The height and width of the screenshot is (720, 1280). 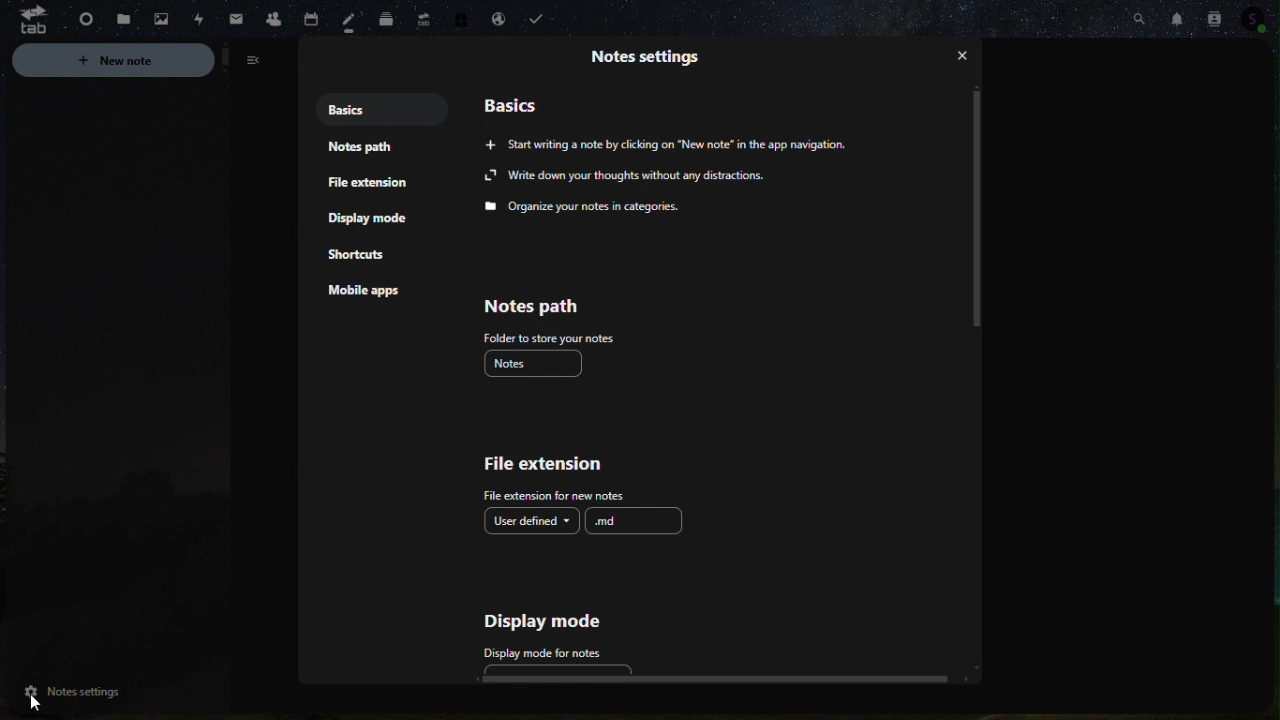 What do you see at coordinates (555, 497) in the screenshot?
I see `file extensions for notes` at bounding box center [555, 497].